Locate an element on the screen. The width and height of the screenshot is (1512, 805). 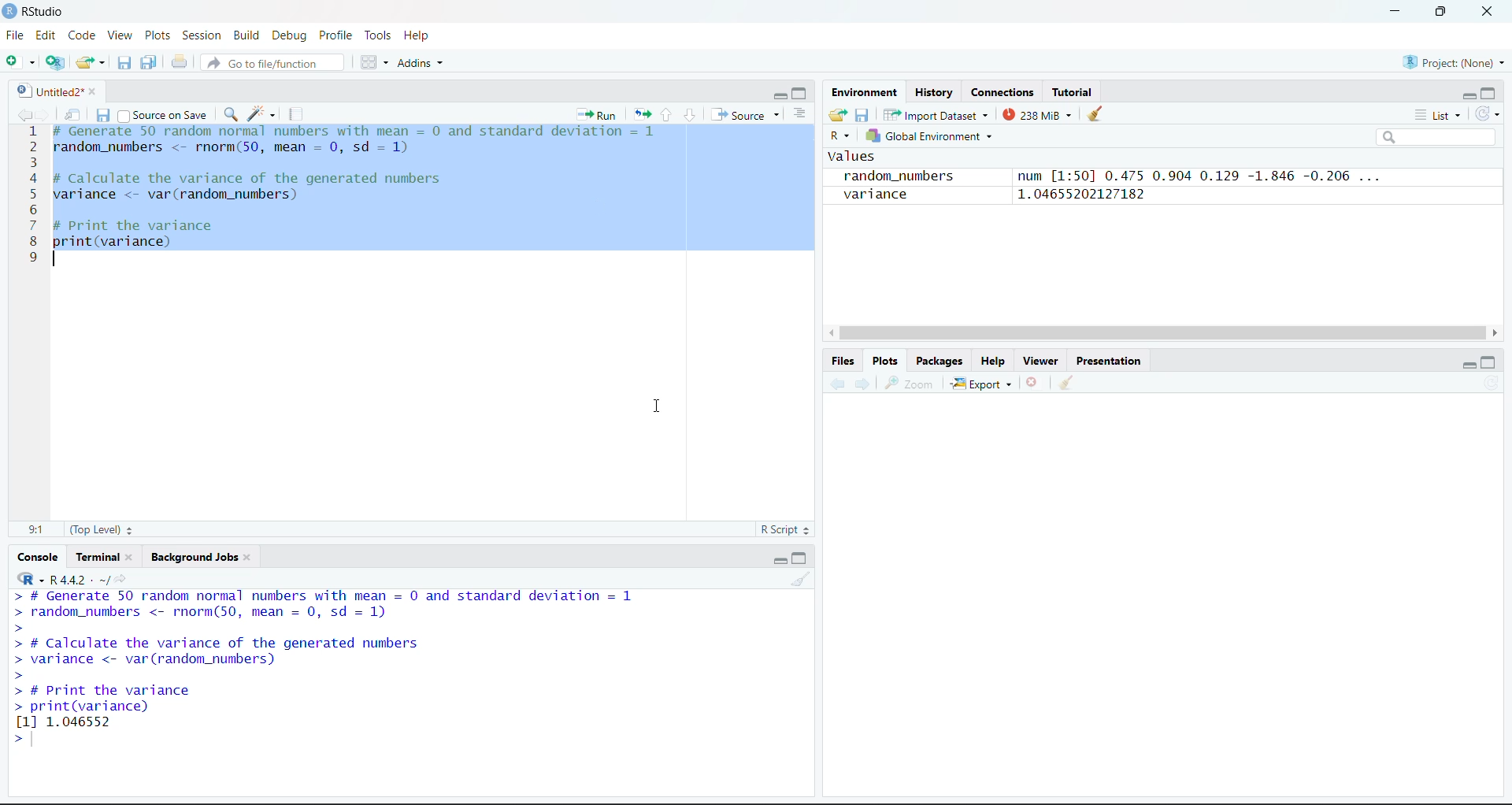
line numbering  is located at coordinates (32, 196).